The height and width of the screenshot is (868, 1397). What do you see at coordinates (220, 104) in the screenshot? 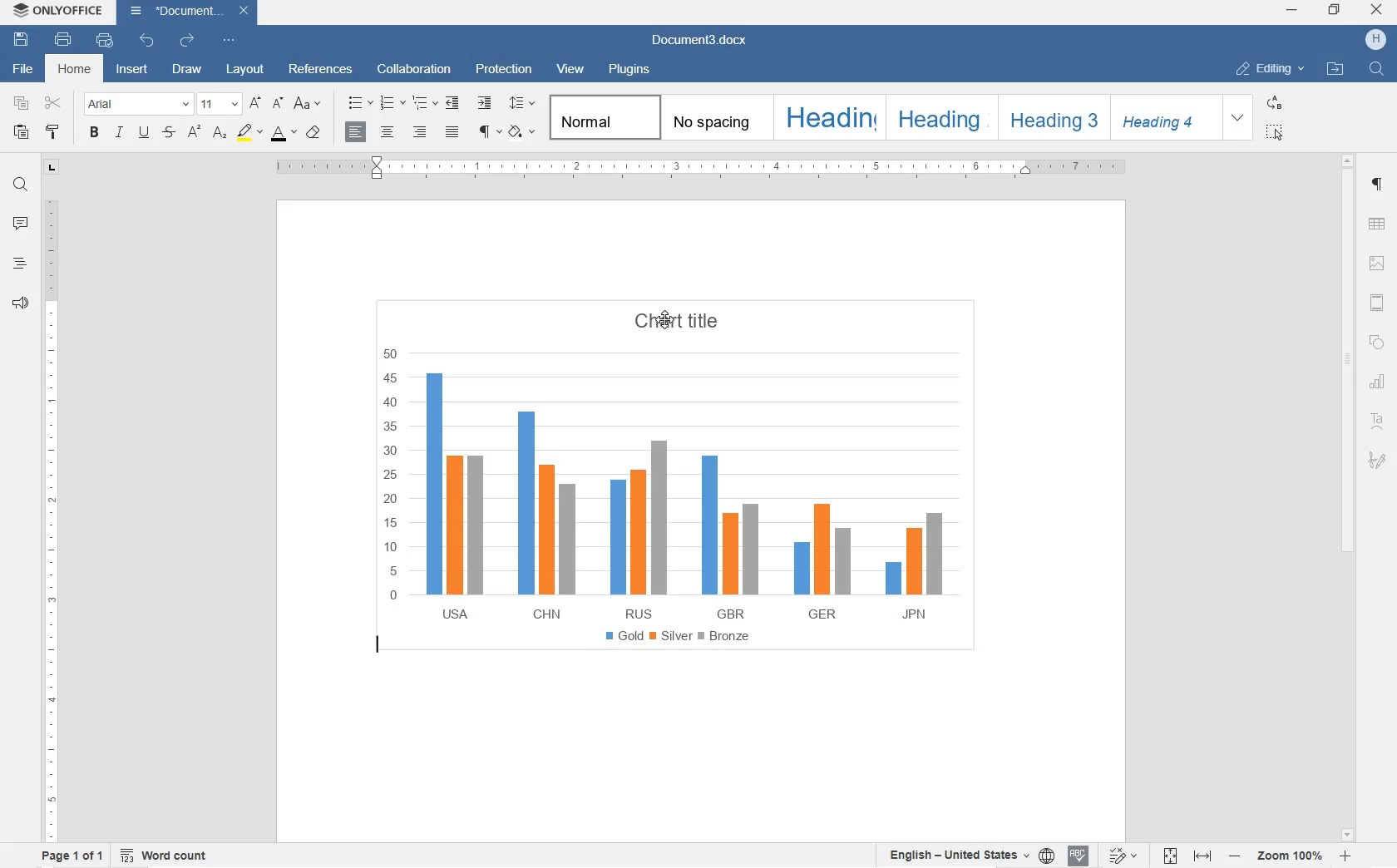
I see `FONT SIZE` at bounding box center [220, 104].